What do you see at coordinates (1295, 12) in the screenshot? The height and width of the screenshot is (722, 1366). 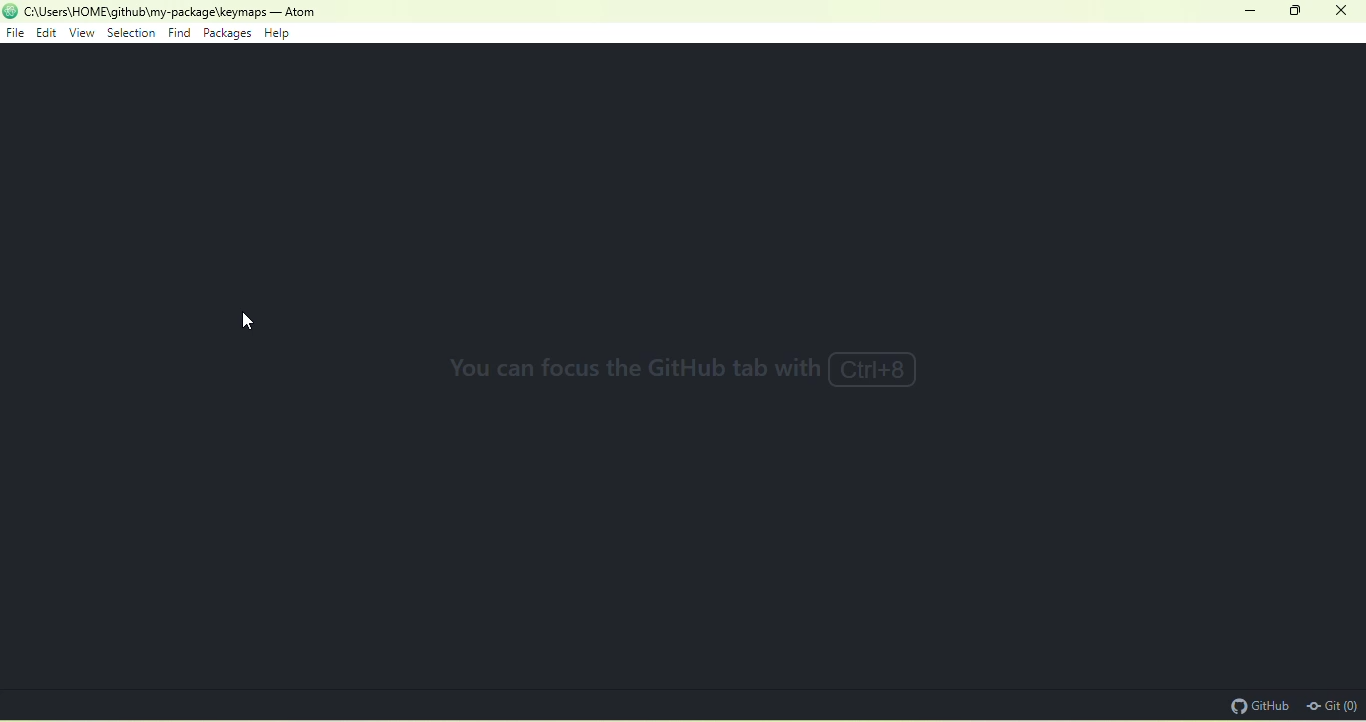 I see `maximize` at bounding box center [1295, 12].